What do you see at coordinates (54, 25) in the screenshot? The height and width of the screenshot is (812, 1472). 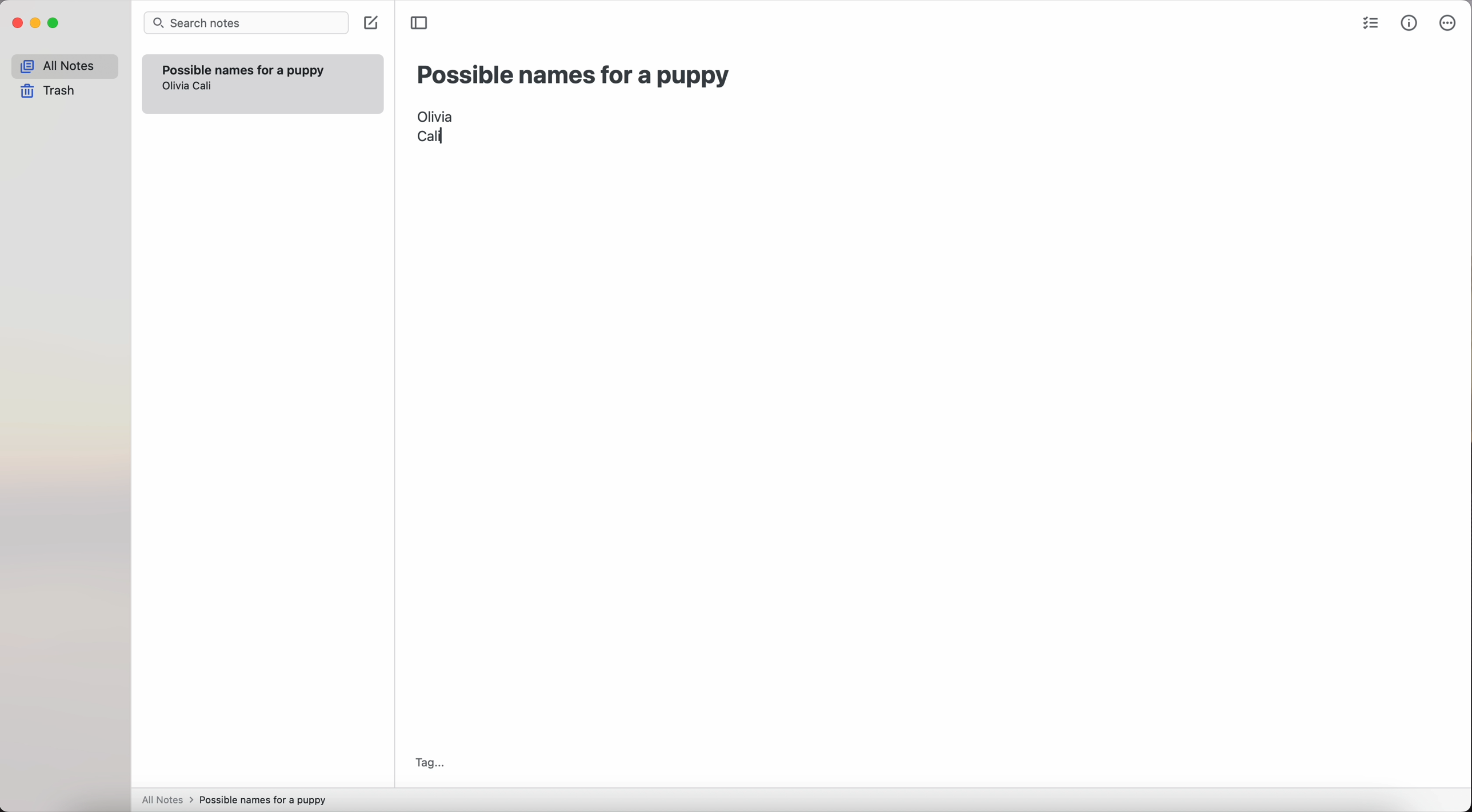 I see `maximize` at bounding box center [54, 25].